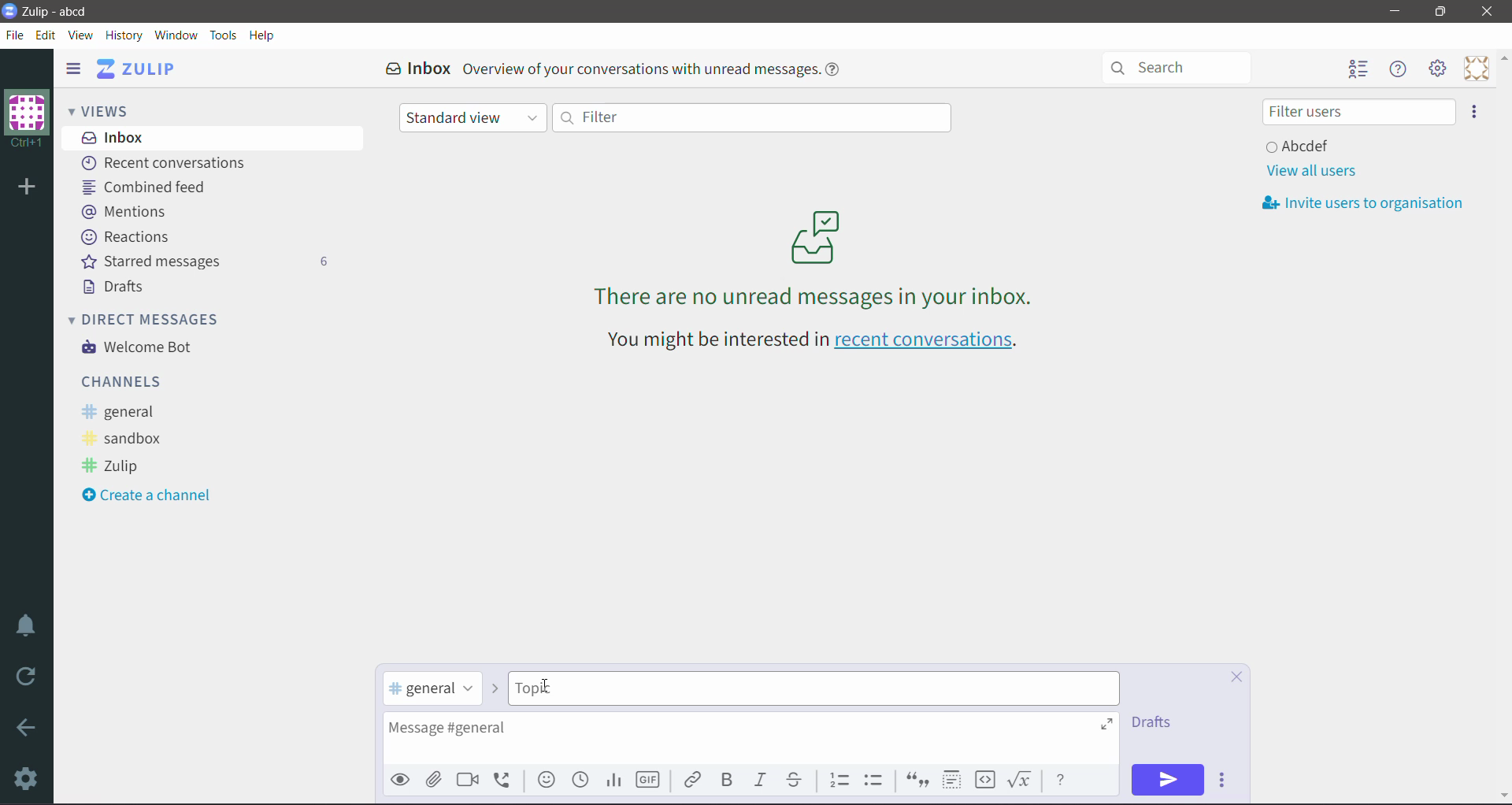  I want to click on Upload File, so click(434, 780).